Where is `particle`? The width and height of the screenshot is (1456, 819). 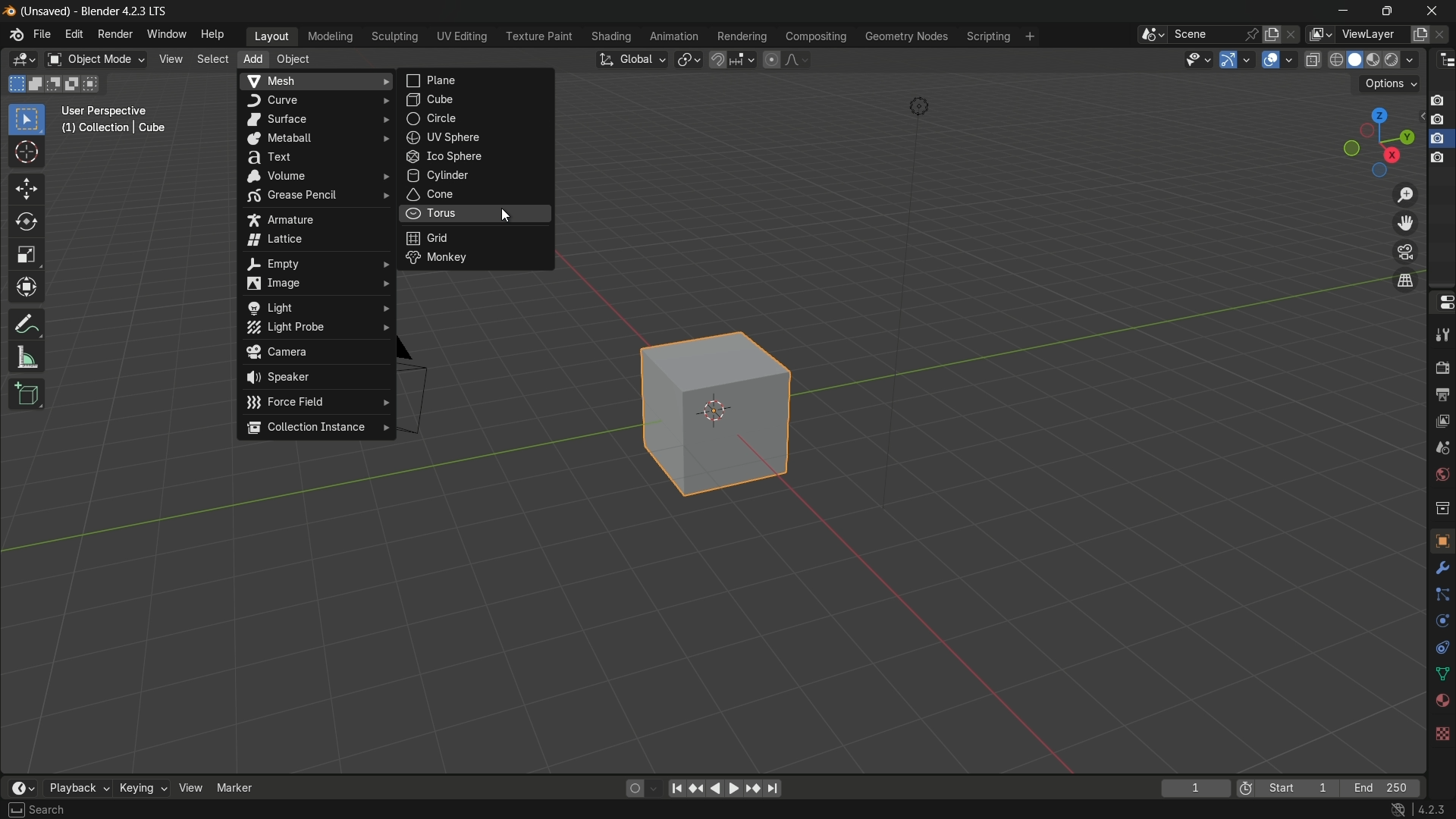 particle is located at coordinates (1441, 596).